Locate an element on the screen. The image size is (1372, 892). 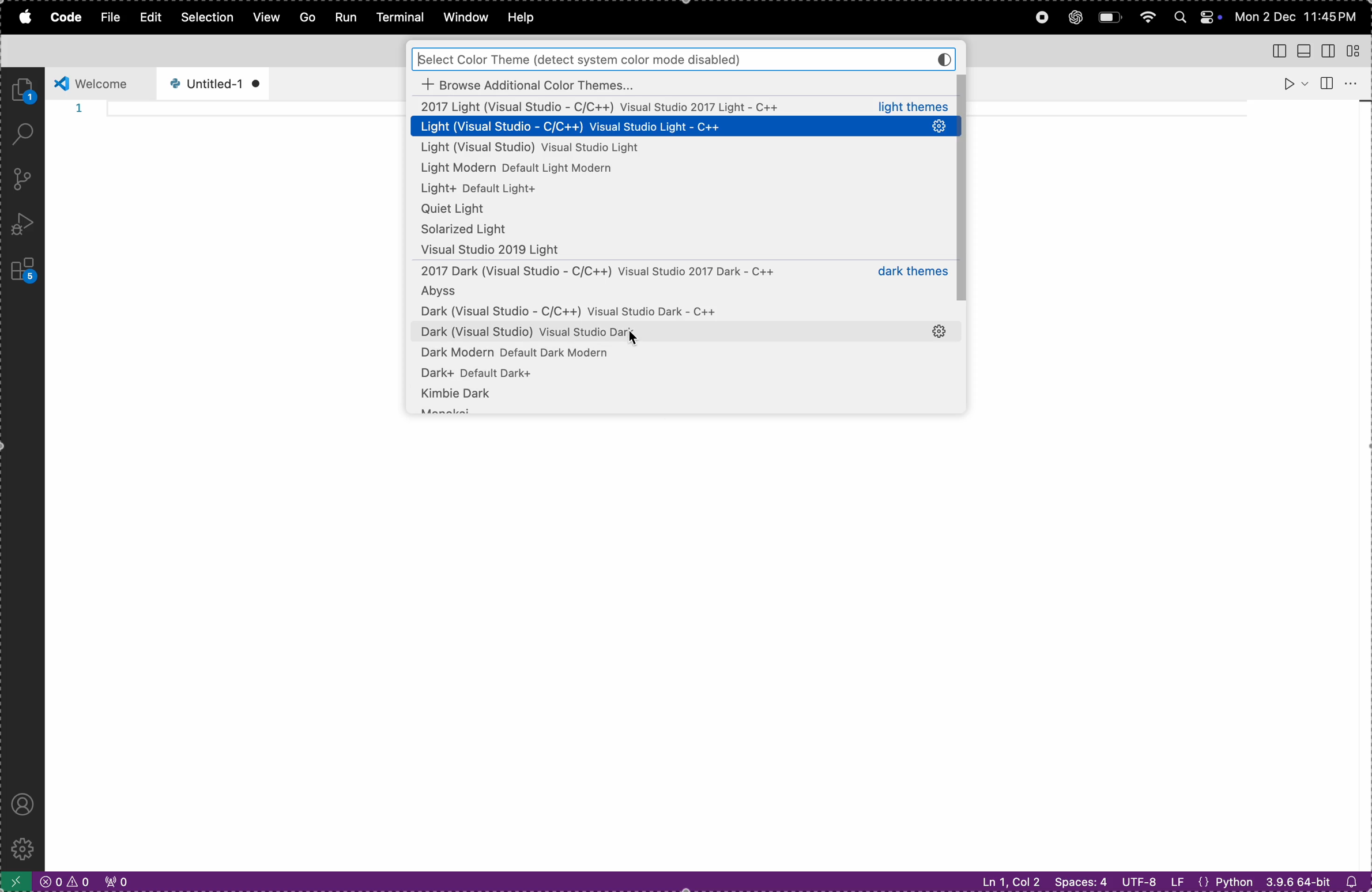
run is located at coordinates (1292, 83).